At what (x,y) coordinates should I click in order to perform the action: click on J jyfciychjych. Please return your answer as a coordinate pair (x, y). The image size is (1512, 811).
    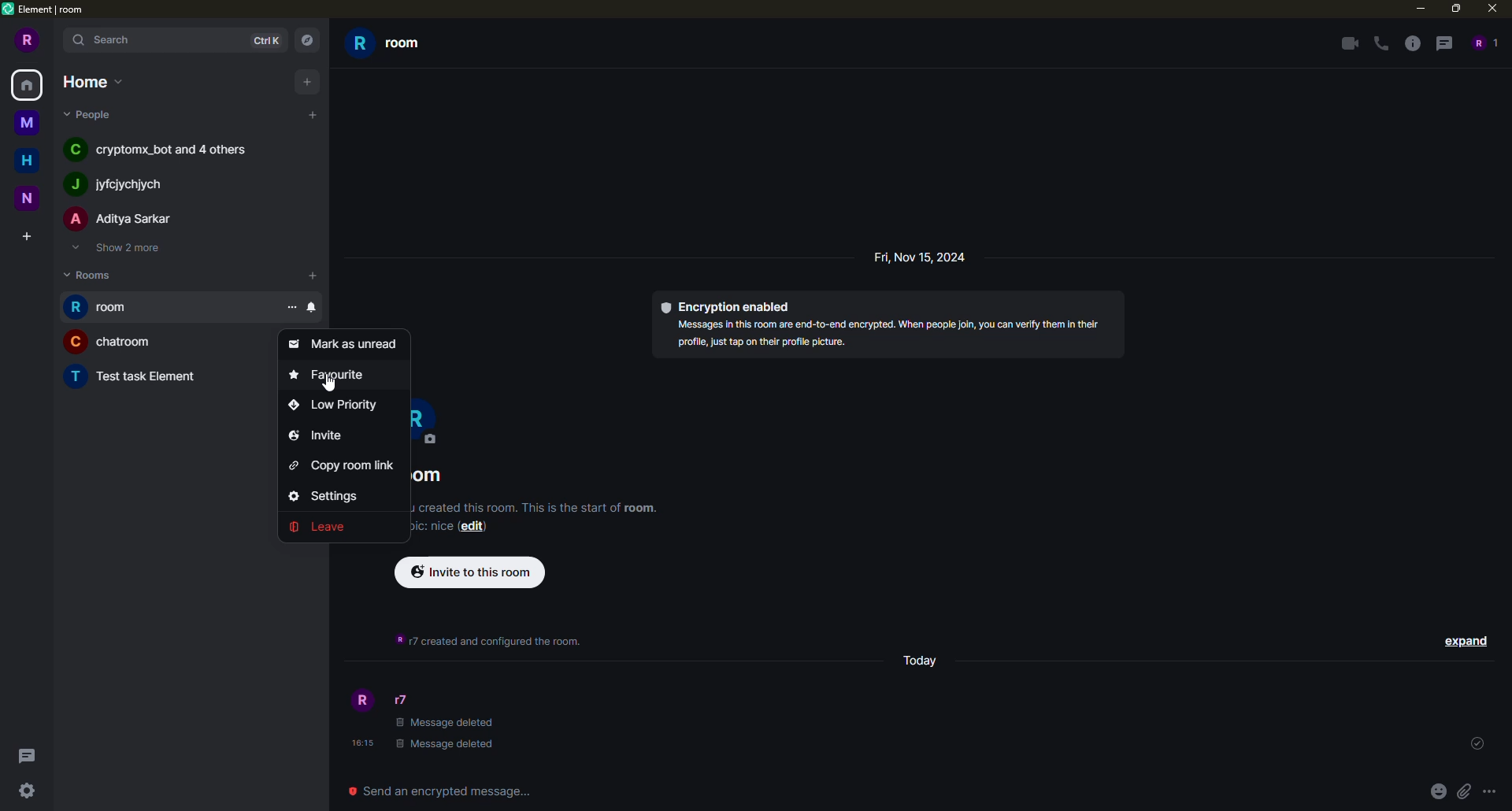
    Looking at the image, I should click on (117, 183).